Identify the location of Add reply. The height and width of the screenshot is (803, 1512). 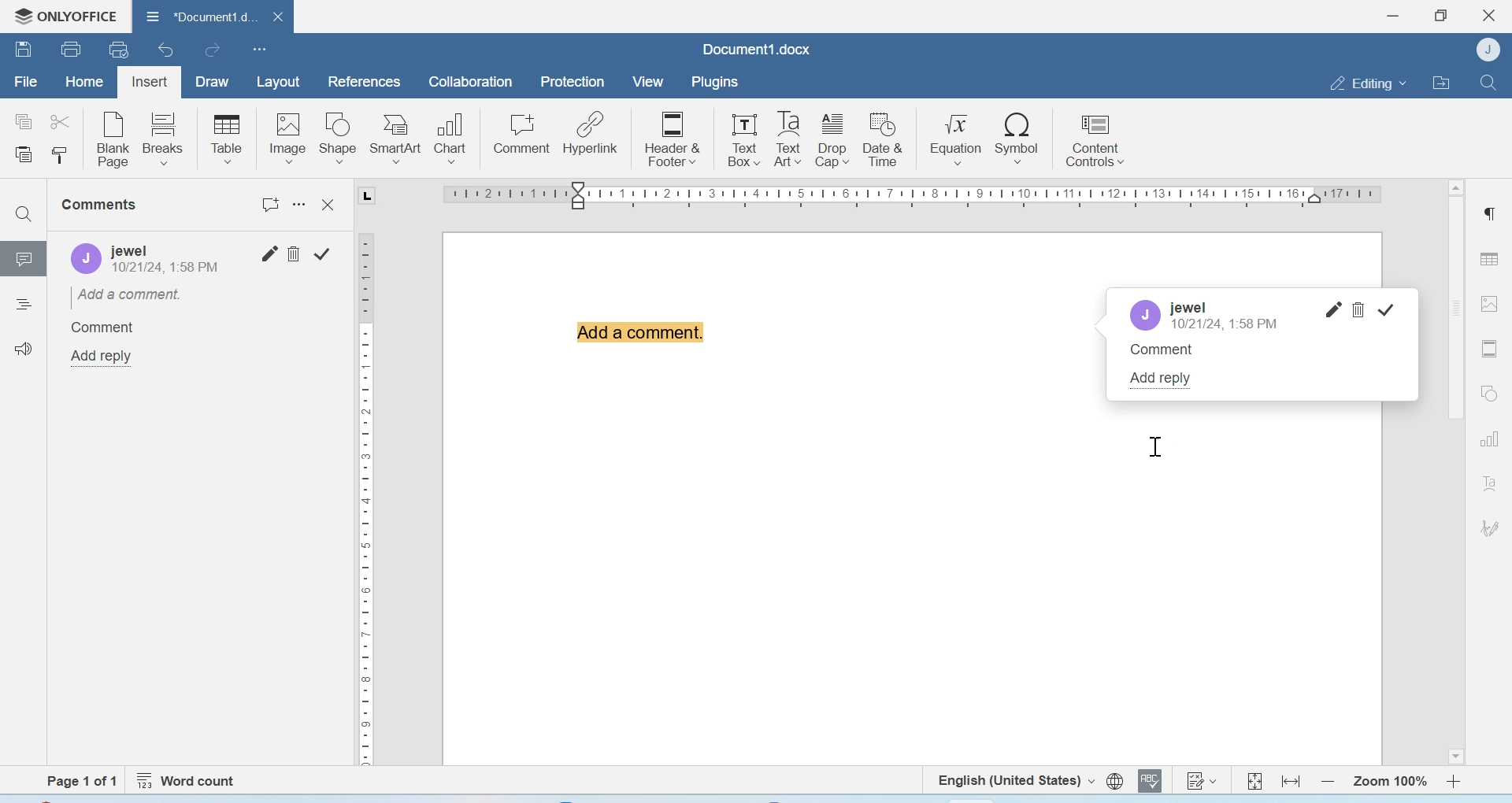
(1170, 380).